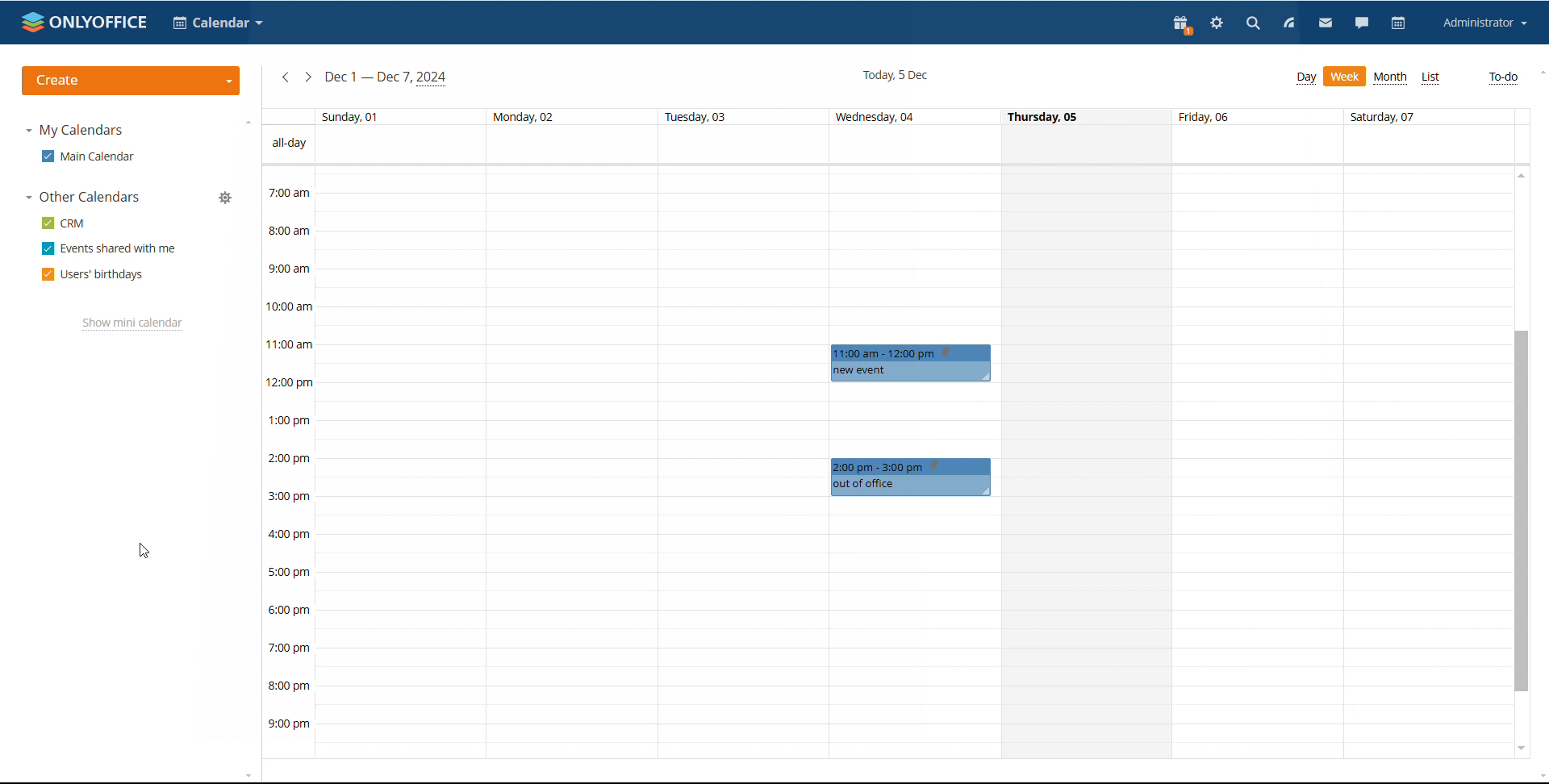  What do you see at coordinates (285, 79) in the screenshot?
I see `previous week` at bounding box center [285, 79].